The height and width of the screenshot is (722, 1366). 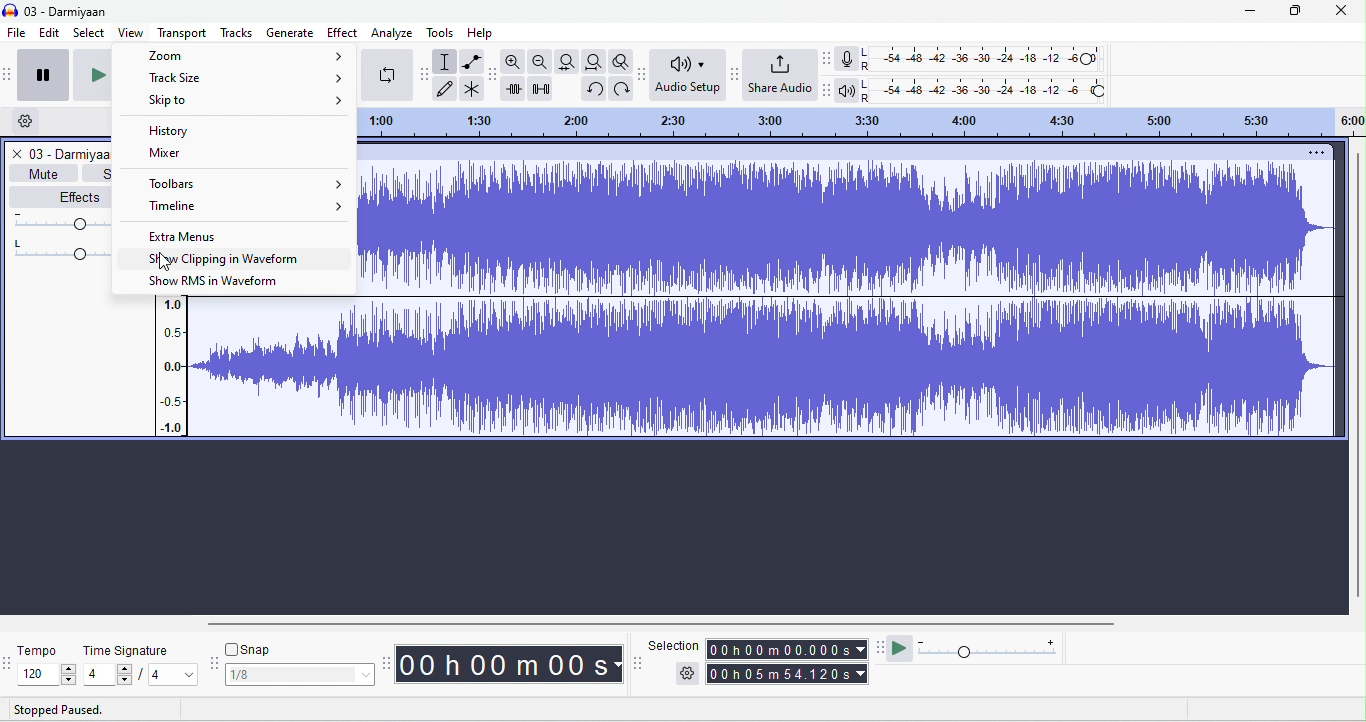 I want to click on fit to track width, so click(x=568, y=61).